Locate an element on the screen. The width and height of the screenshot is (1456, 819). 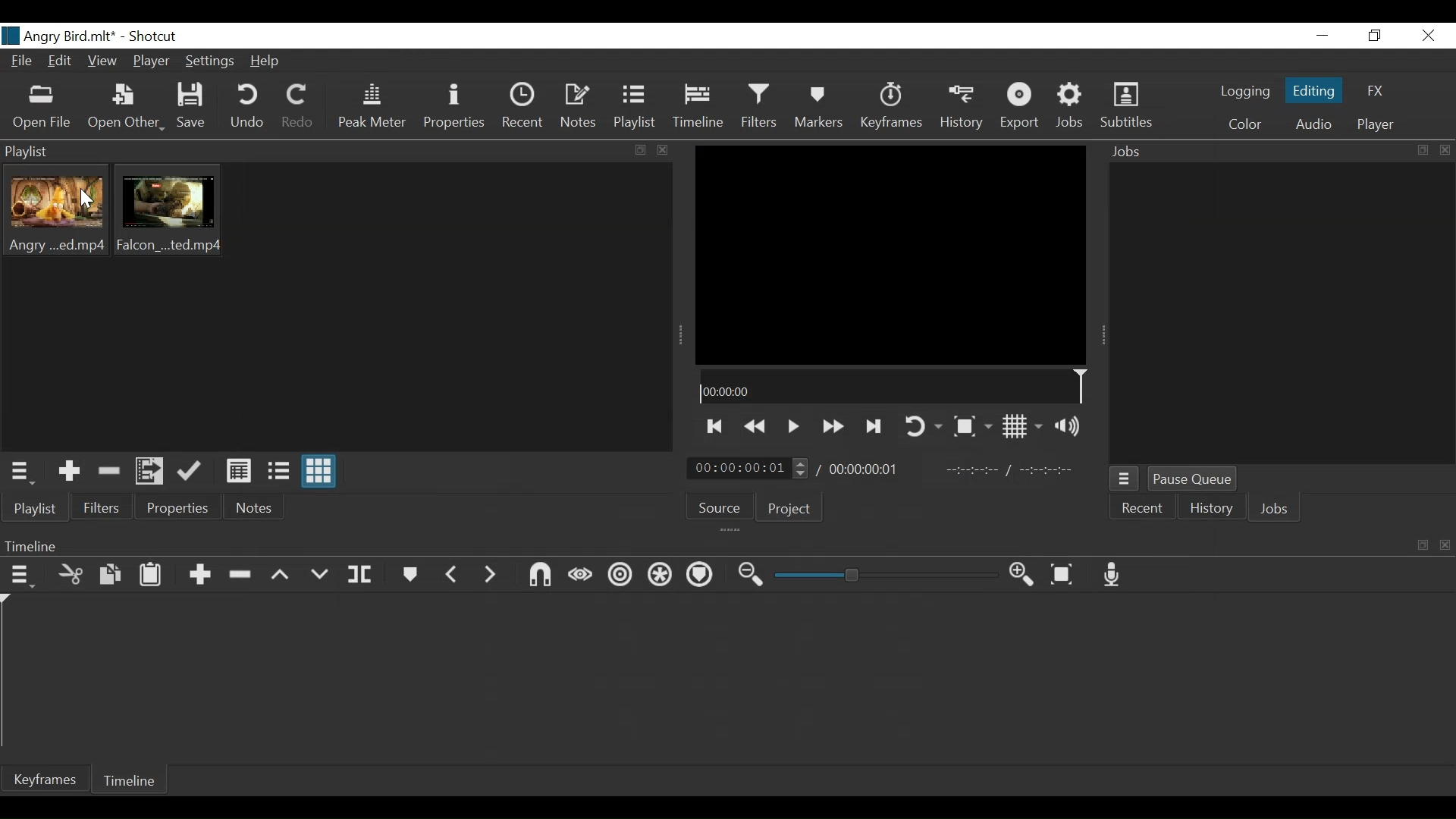
Notes is located at coordinates (253, 507).